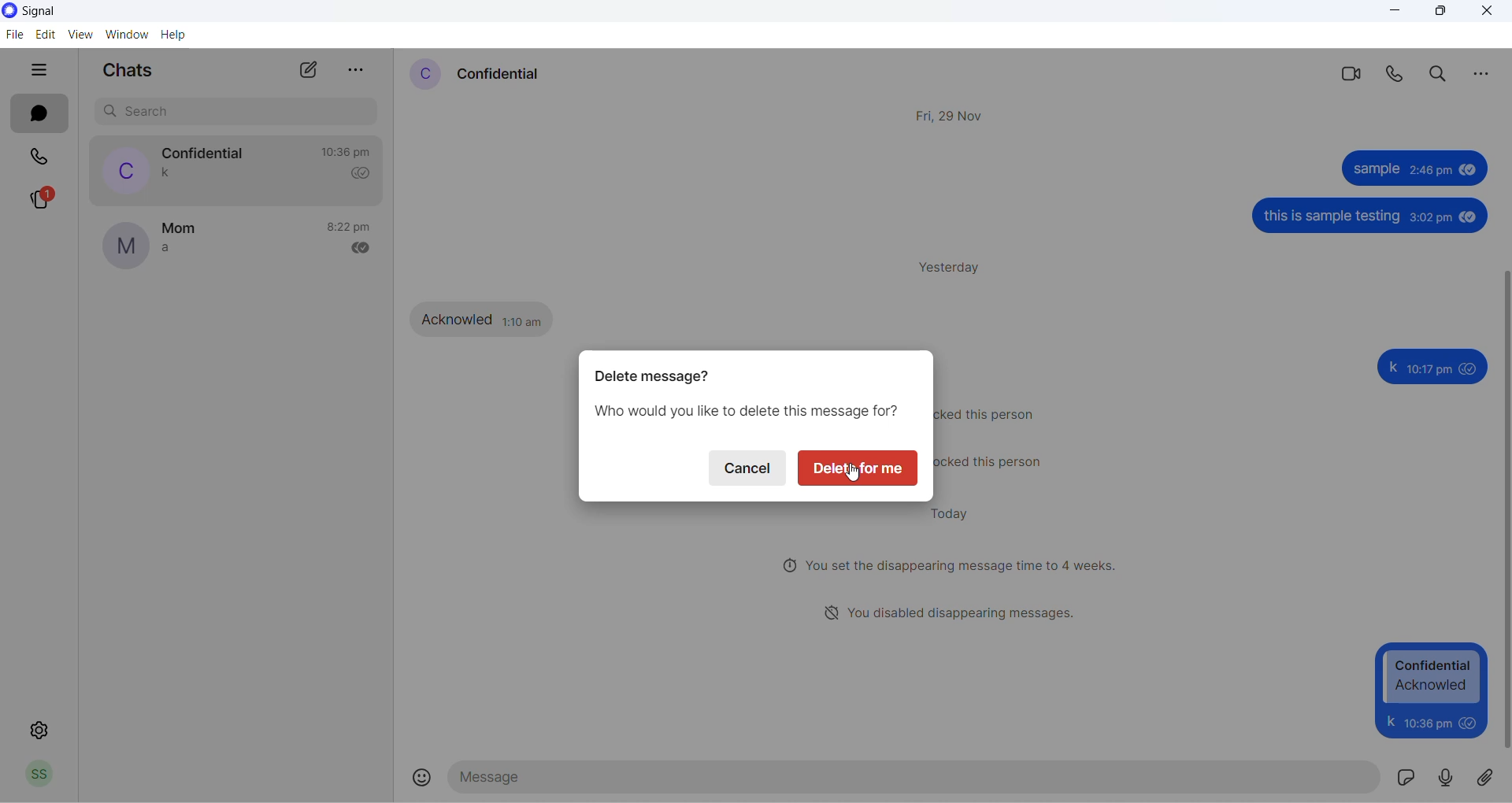  What do you see at coordinates (126, 170) in the screenshot?
I see `profile picture` at bounding box center [126, 170].